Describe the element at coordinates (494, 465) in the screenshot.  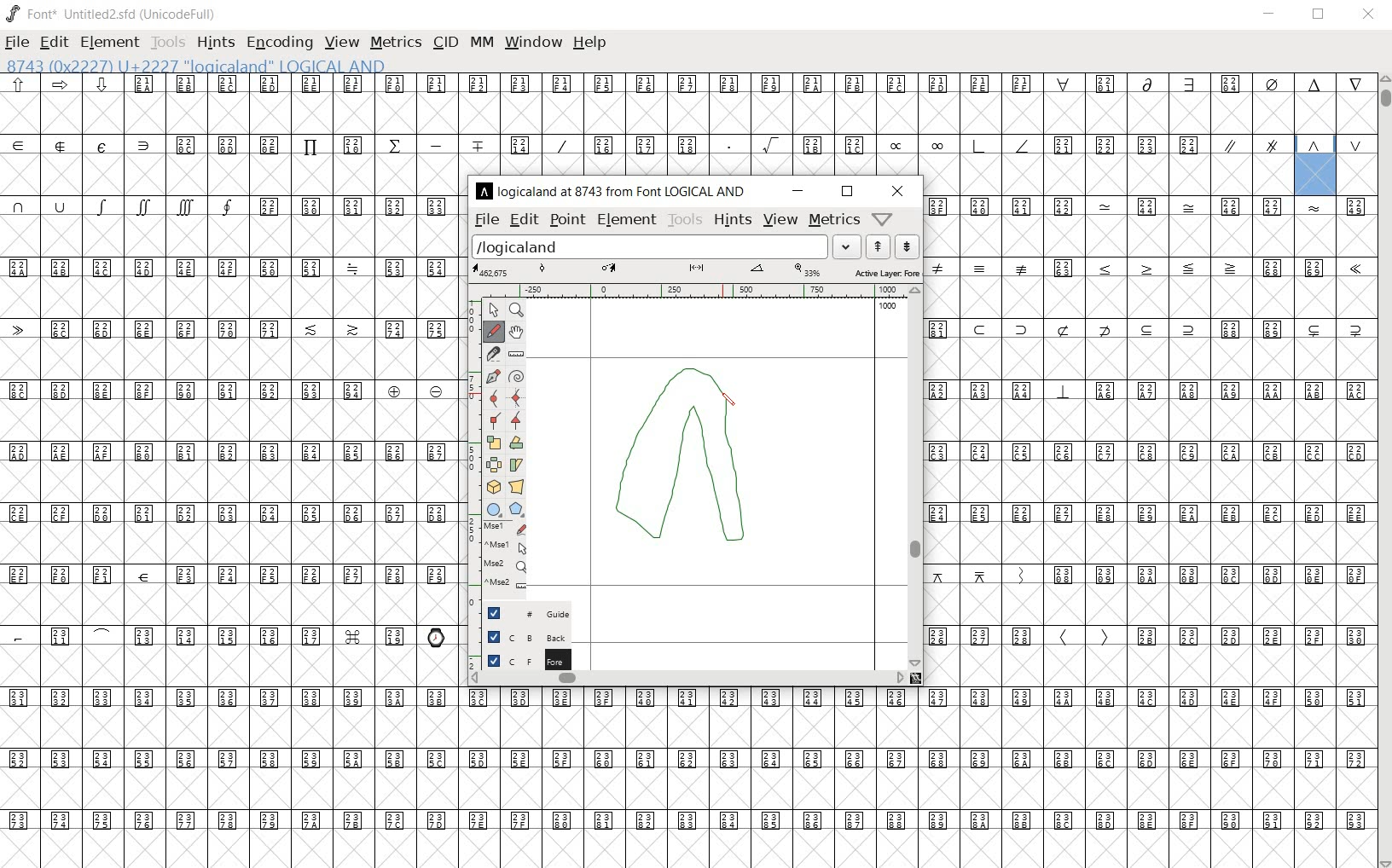
I see `flip the selection` at that location.